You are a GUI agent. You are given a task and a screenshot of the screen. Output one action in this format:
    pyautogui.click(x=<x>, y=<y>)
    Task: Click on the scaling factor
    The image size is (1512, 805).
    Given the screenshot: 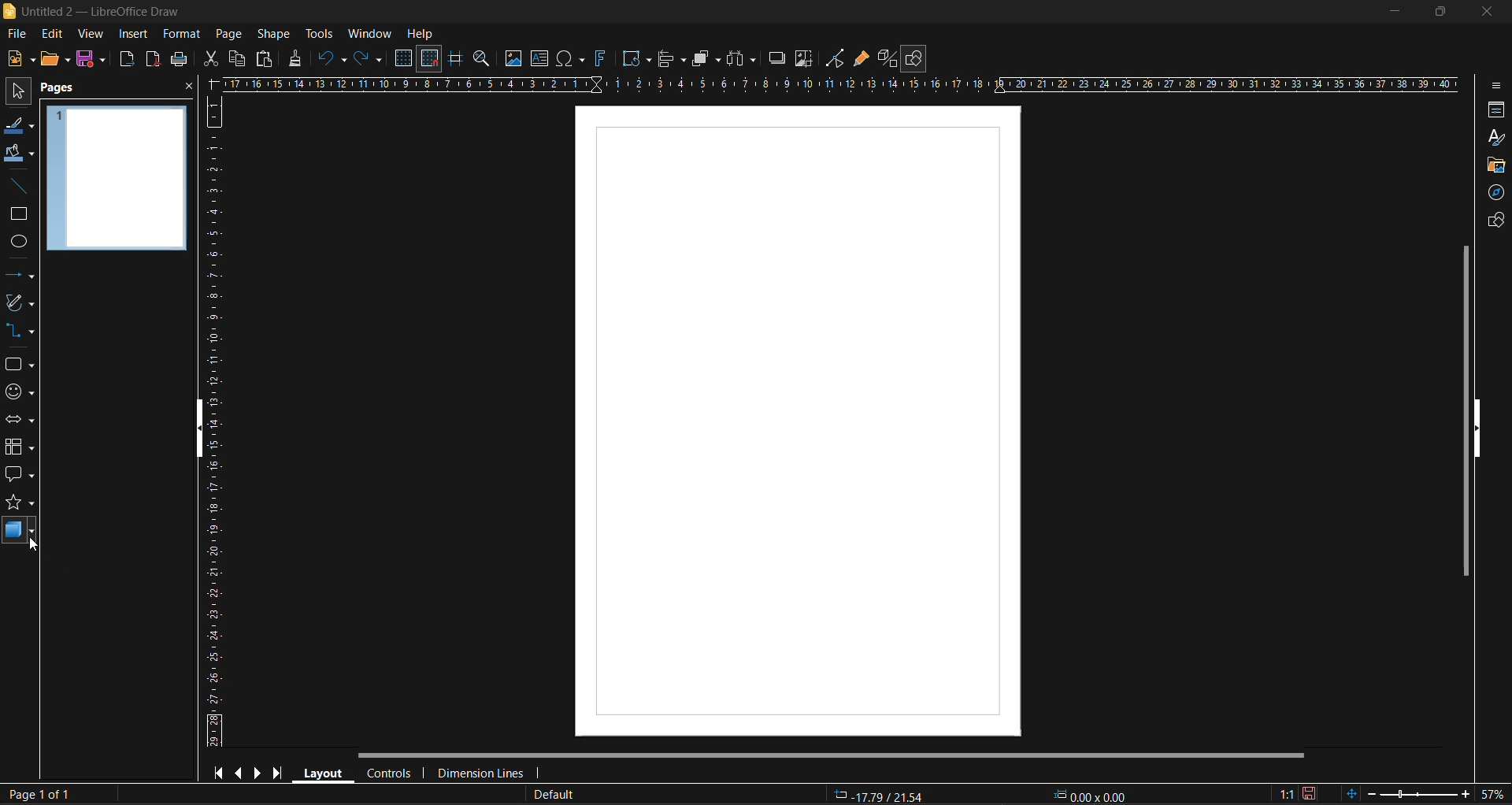 What is the action you would take?
    pyautogui.click(x=1285, y=791)
    